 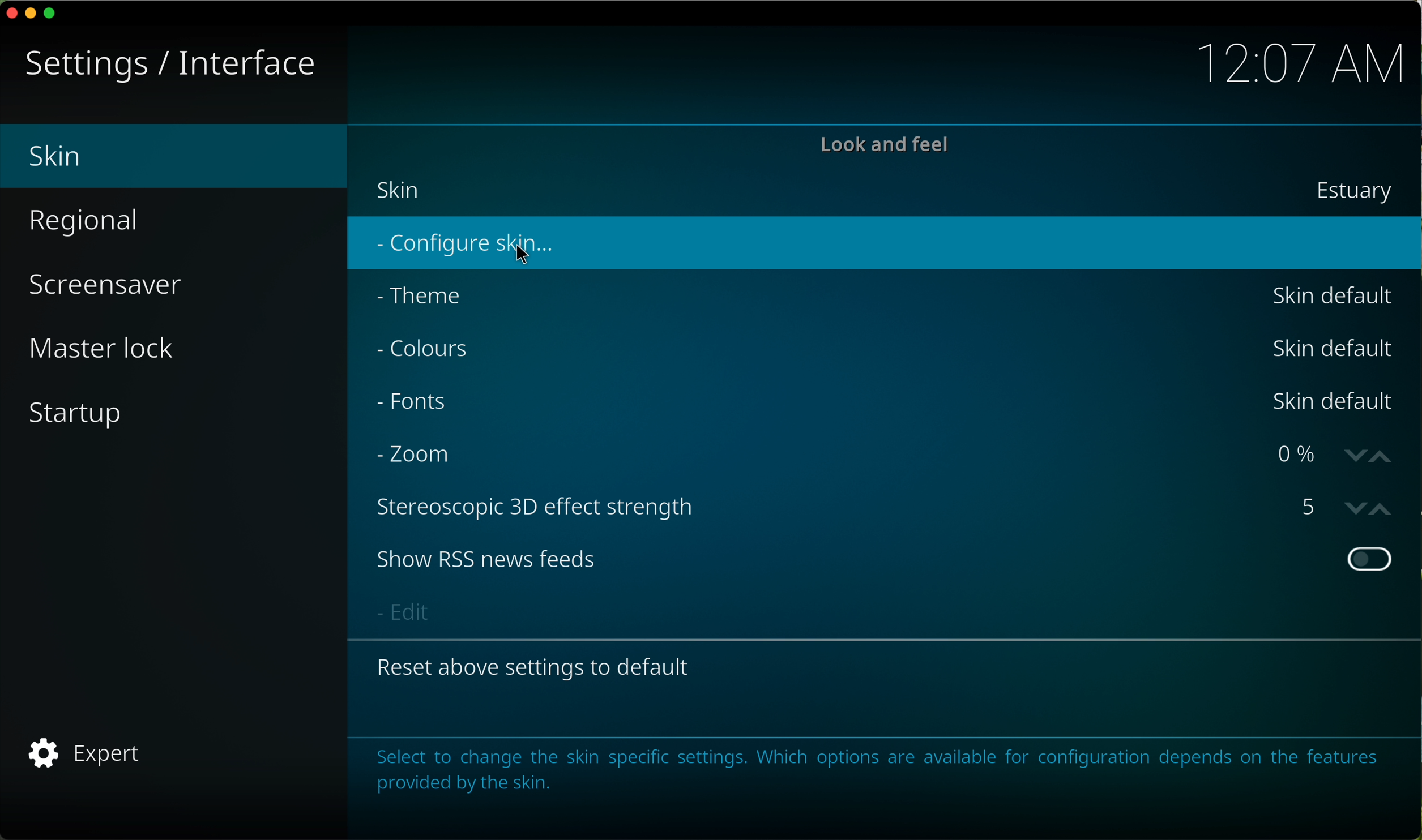 I want to click on master lock, so click(x=102, y=349).